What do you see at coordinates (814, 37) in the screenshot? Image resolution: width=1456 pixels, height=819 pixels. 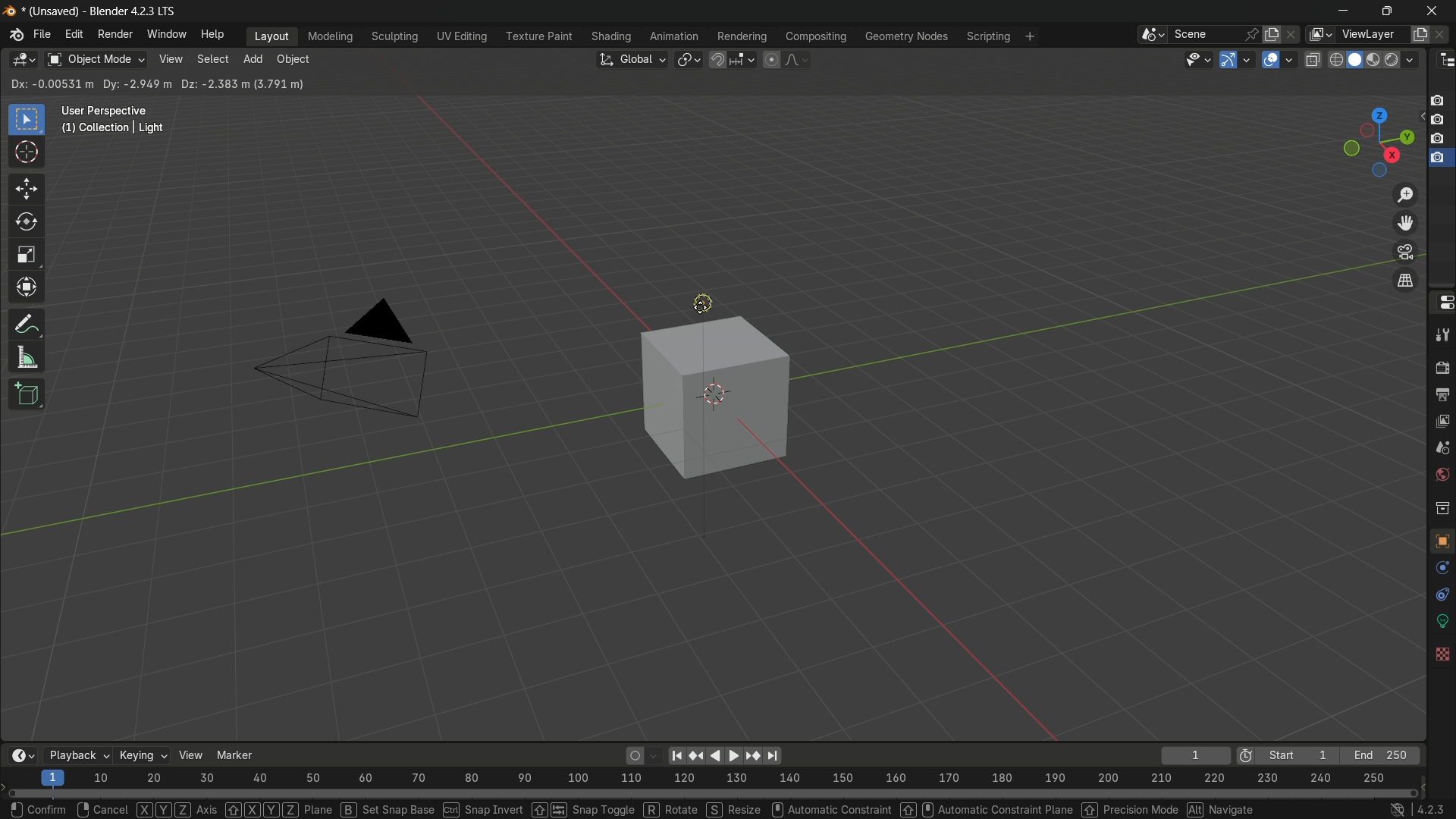 I see `compositing menu` at bounding box center [814, 37].